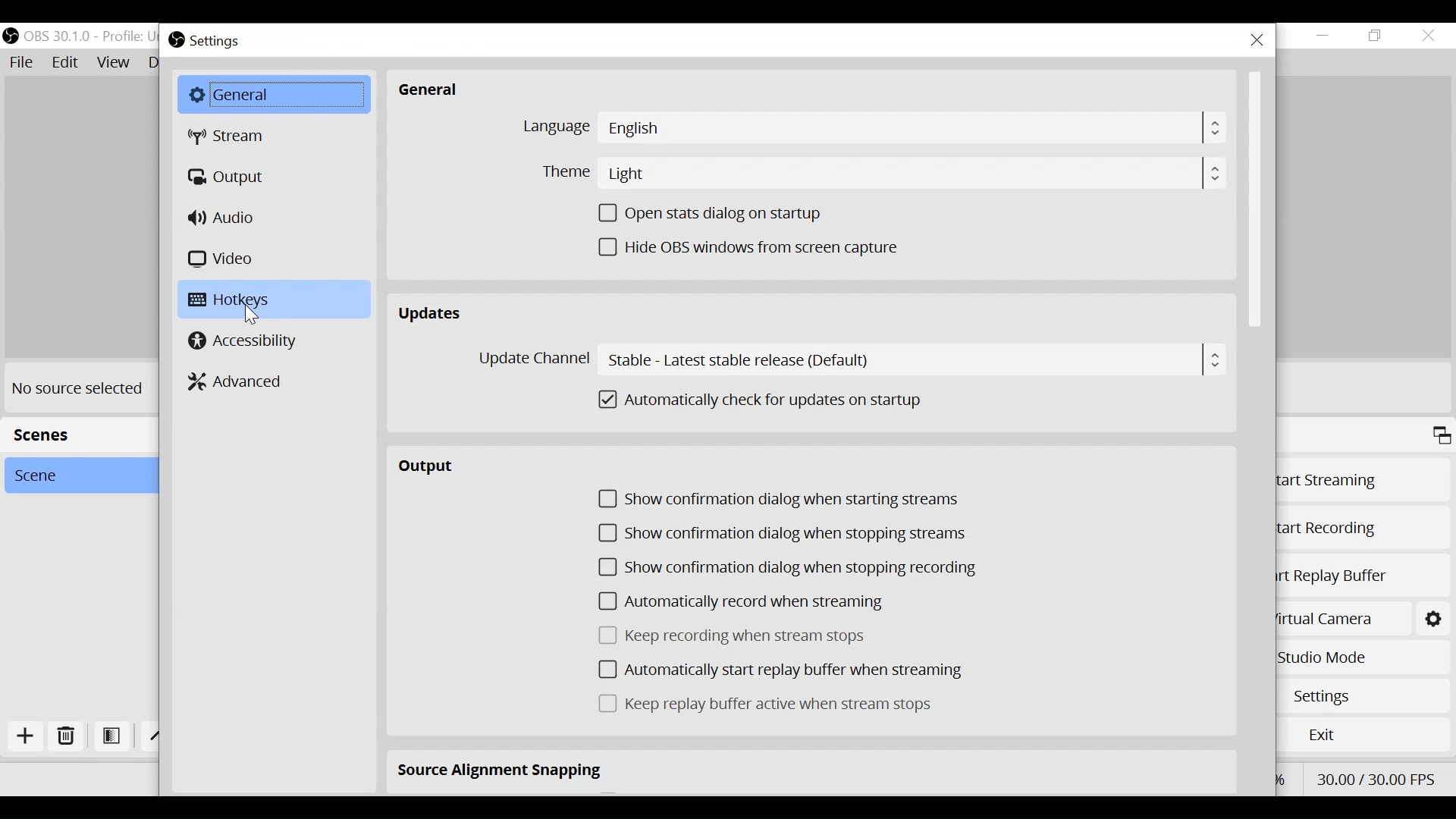 This screenshot has width=1456, height=819. Describe the element at coordinates (1427, 36) in the screenshot. I see `Close` at that location.